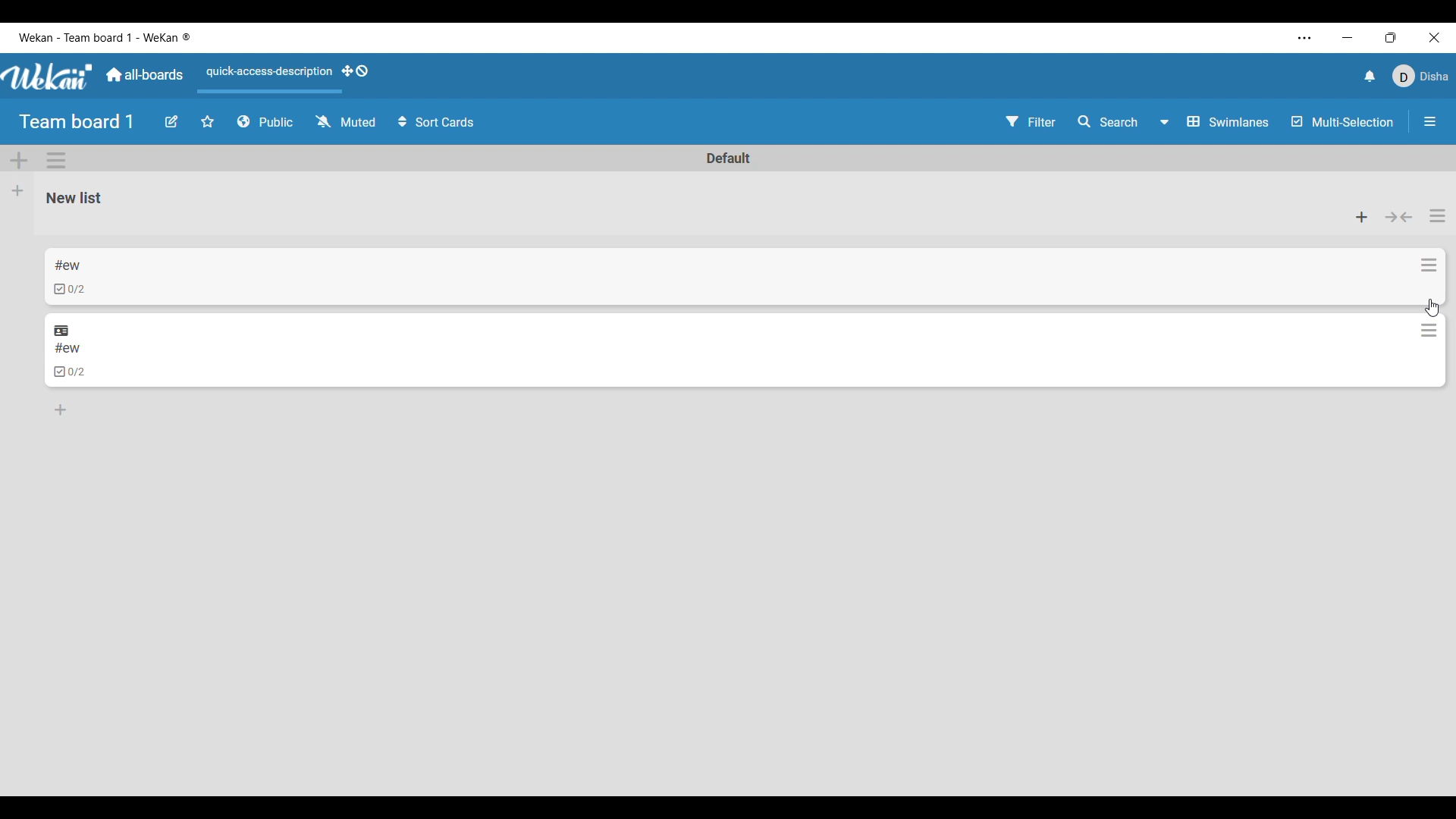 The width and height of the screenshot is (1456, 819). What do you see at coordinates (62, 330) in the screenshot?
I see `Linked outside current board` at bounding box center [62, 330].